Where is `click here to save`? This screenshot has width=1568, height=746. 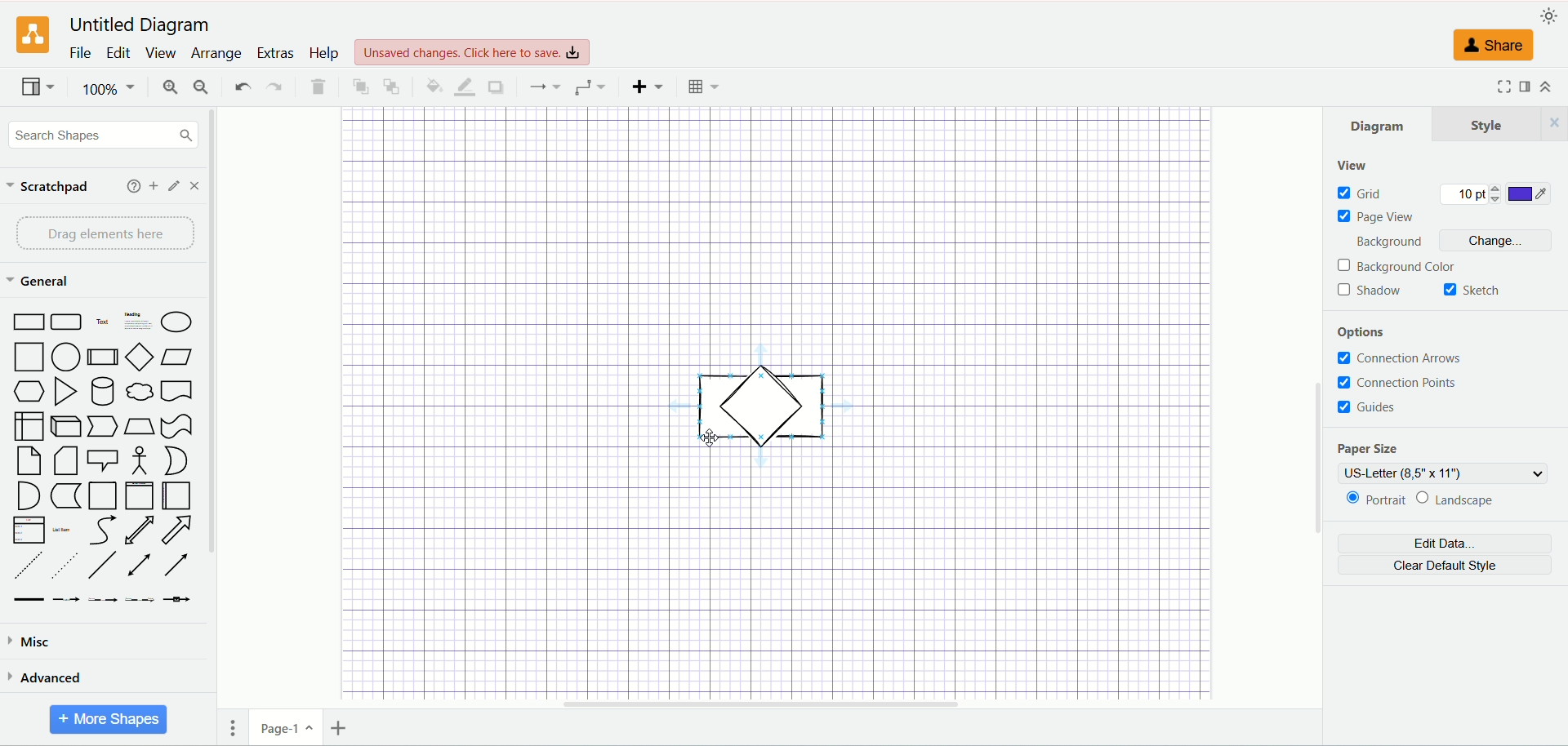
click here to save is located at coordinates (470, 52).